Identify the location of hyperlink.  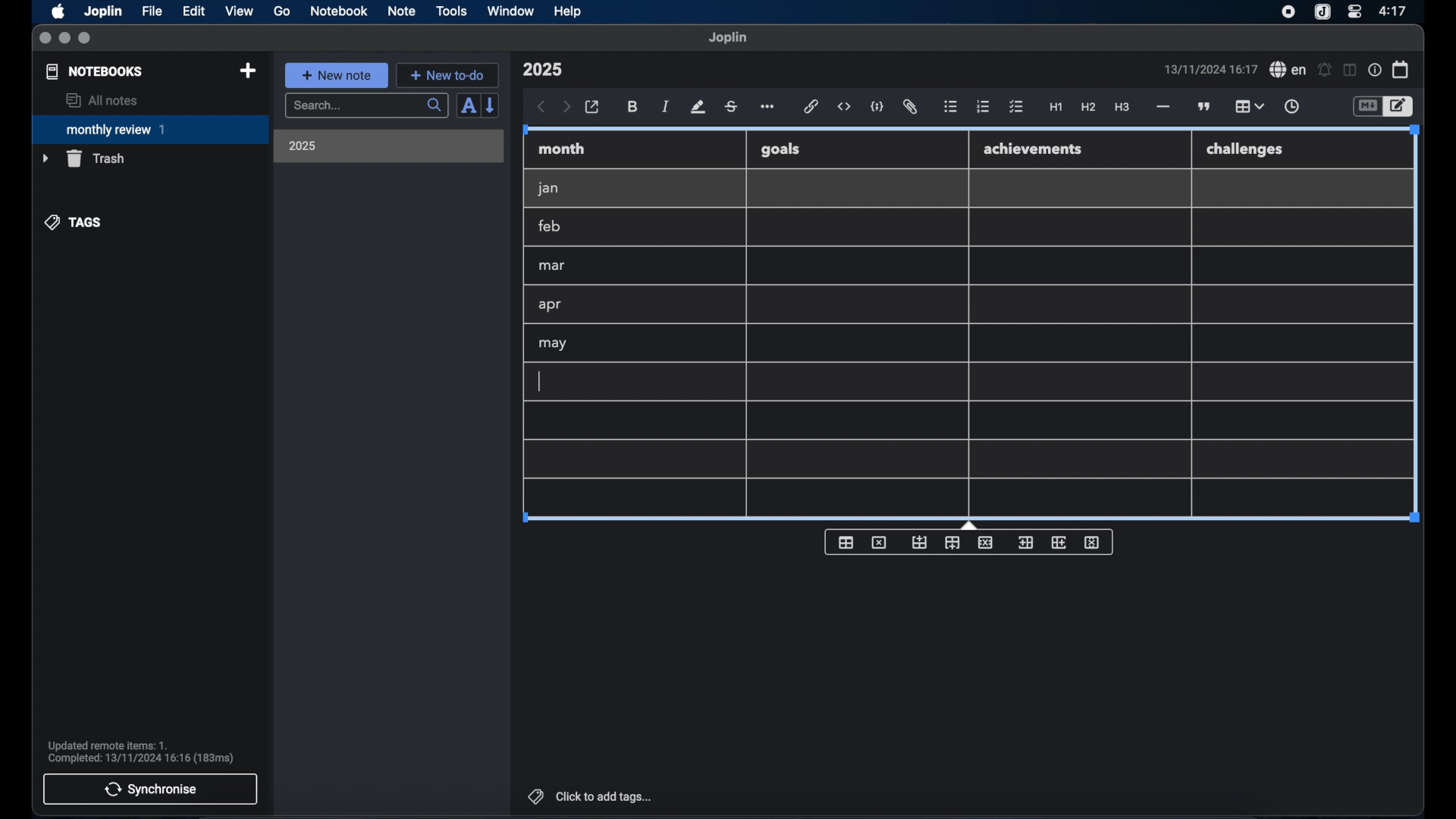
(811, 106).